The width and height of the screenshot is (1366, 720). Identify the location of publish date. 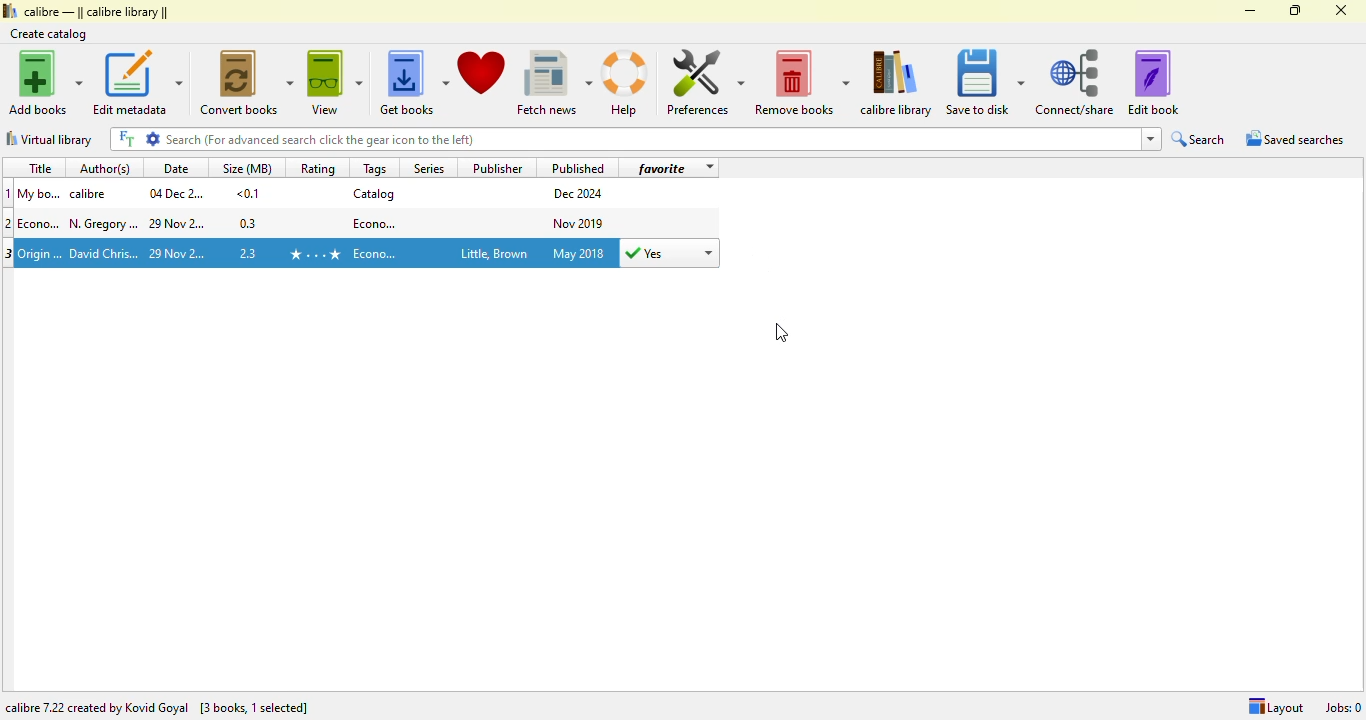
(580, 194).